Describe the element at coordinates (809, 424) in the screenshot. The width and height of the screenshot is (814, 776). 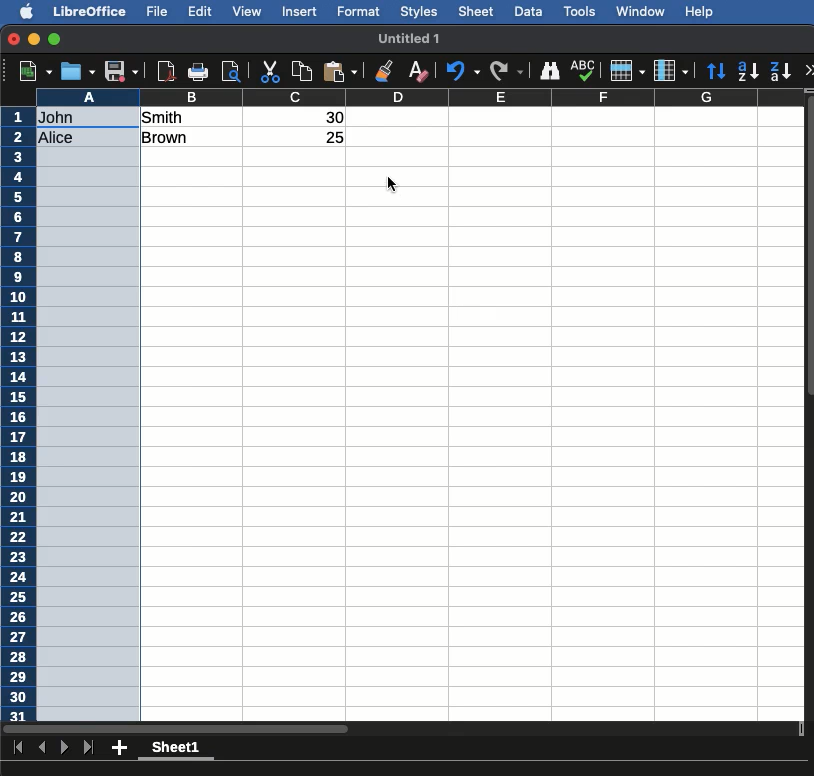
I see `Scroll` at that location.